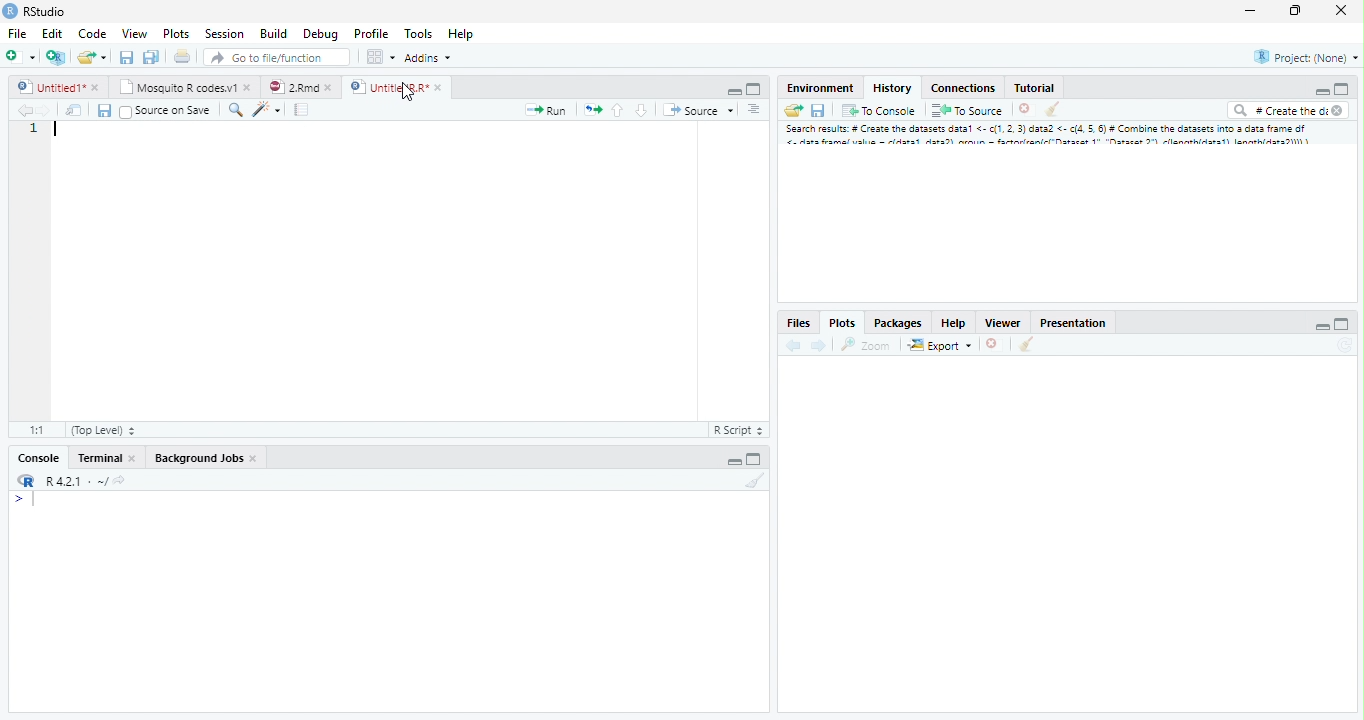 This screenshot has width=1364, height=720. What do you see at coordinates (72, 110) in the screenshot?
I see `Show in the new window` at bounding box center [72, 110].